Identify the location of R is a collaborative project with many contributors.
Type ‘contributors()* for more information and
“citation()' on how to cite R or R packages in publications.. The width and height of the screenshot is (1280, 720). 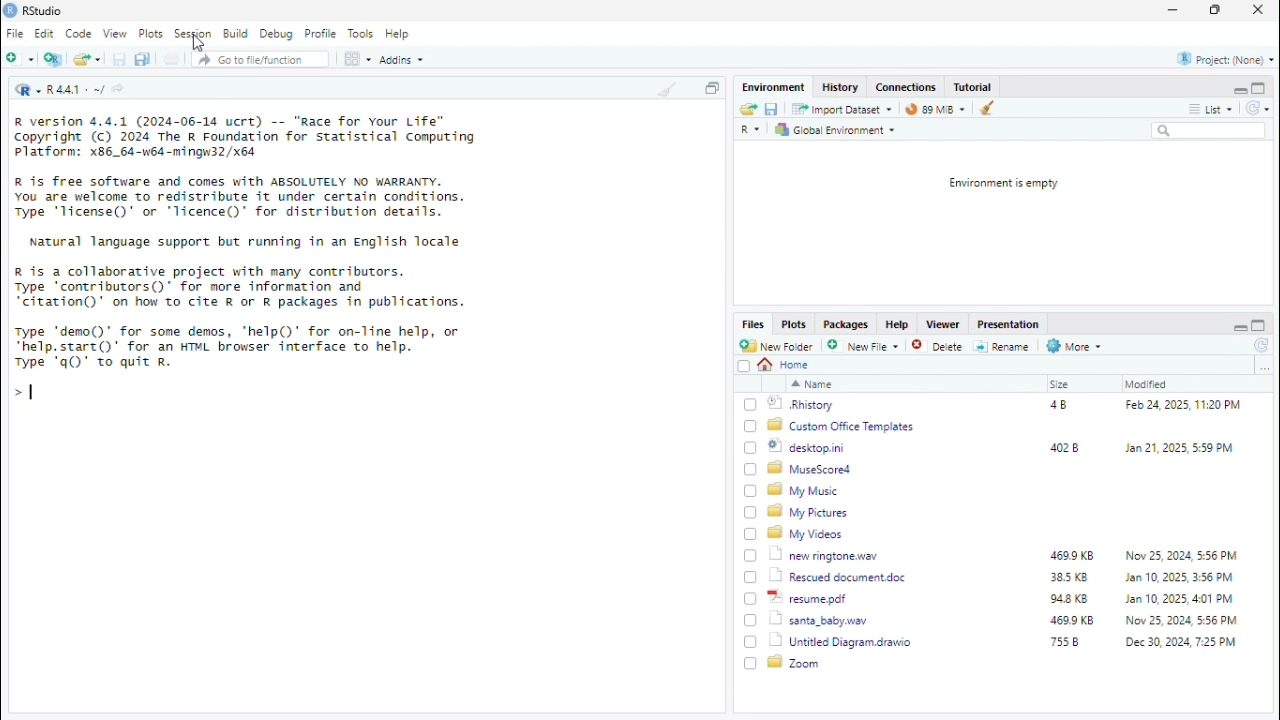
(240, 288).